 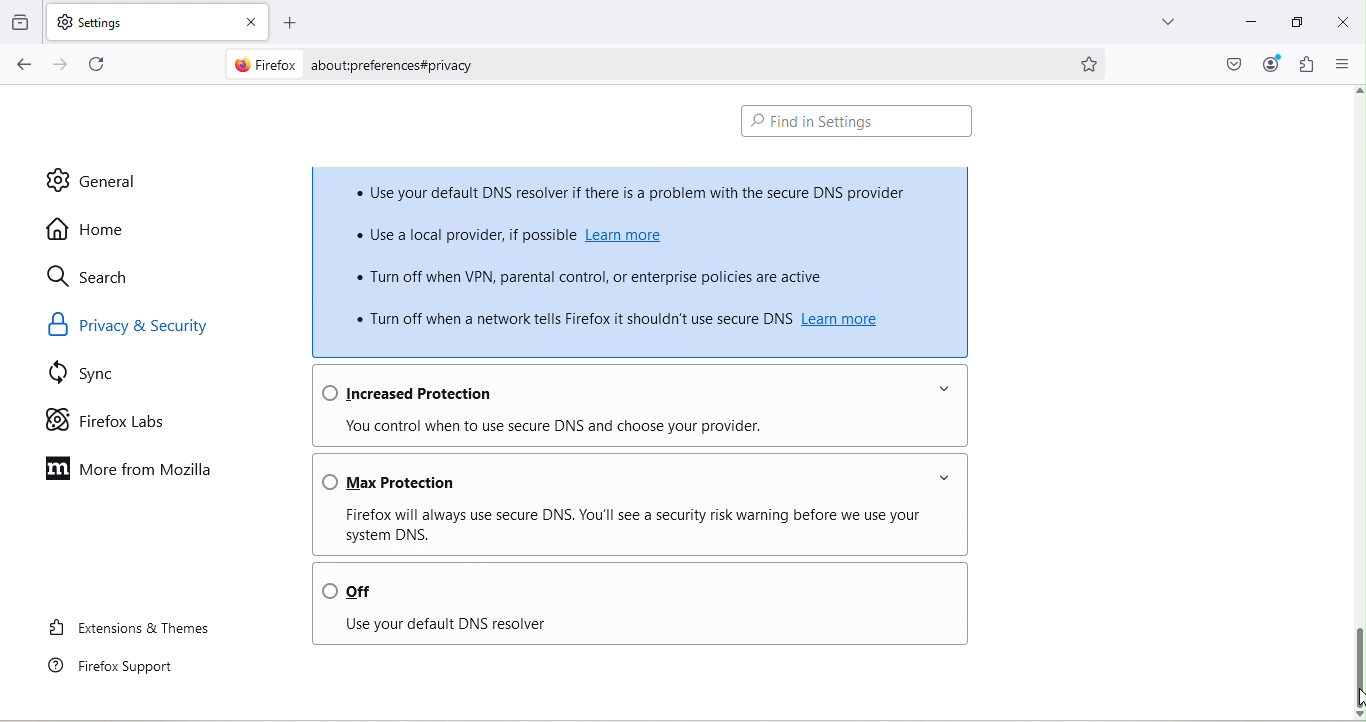 What do you see at coordinates (1295, 23) in the screenshot?
I see `Maximize` at bounding box center [1295, 23].